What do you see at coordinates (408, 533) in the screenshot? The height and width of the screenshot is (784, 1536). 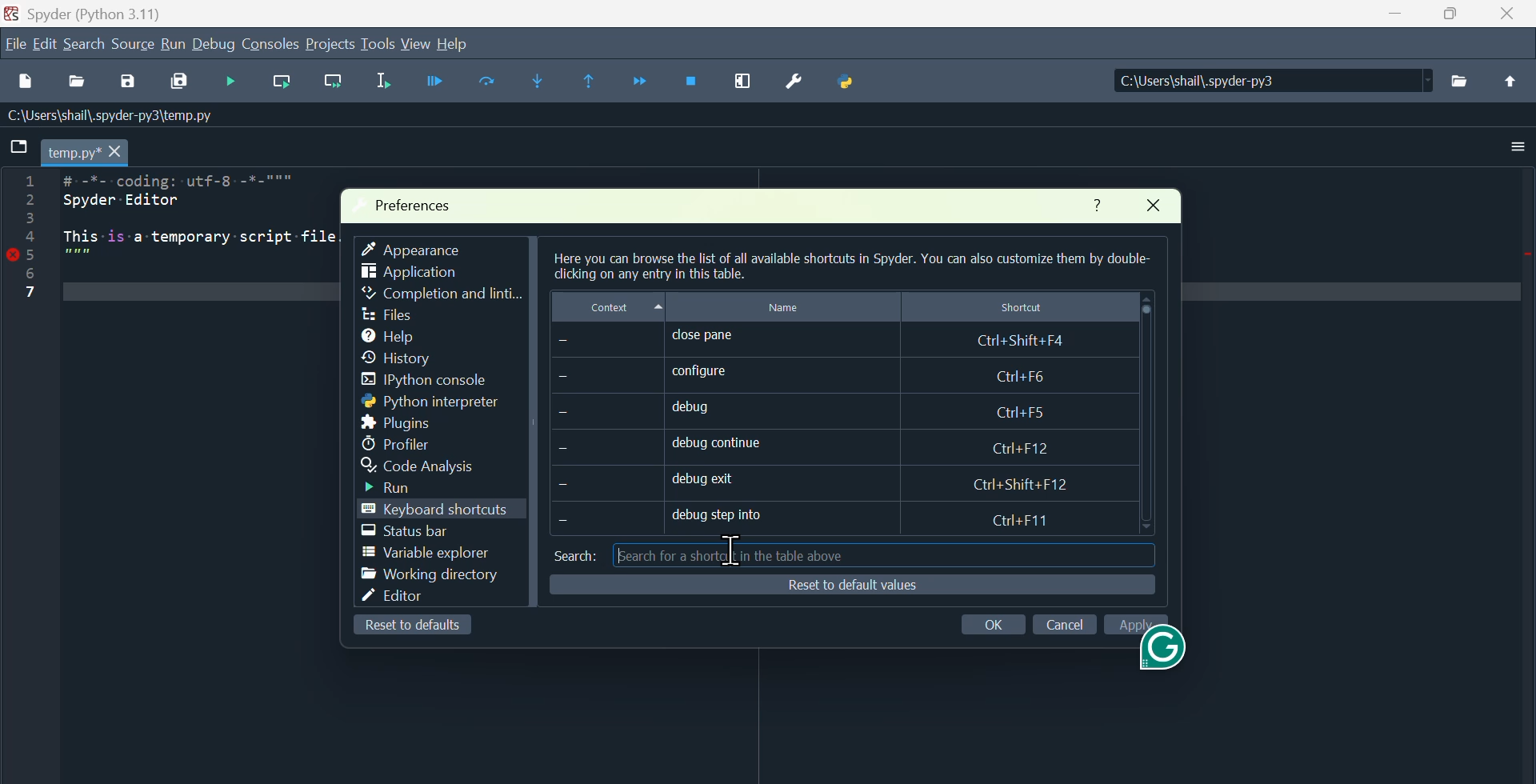 I see `Status bar` at bounding box center [408, 533].